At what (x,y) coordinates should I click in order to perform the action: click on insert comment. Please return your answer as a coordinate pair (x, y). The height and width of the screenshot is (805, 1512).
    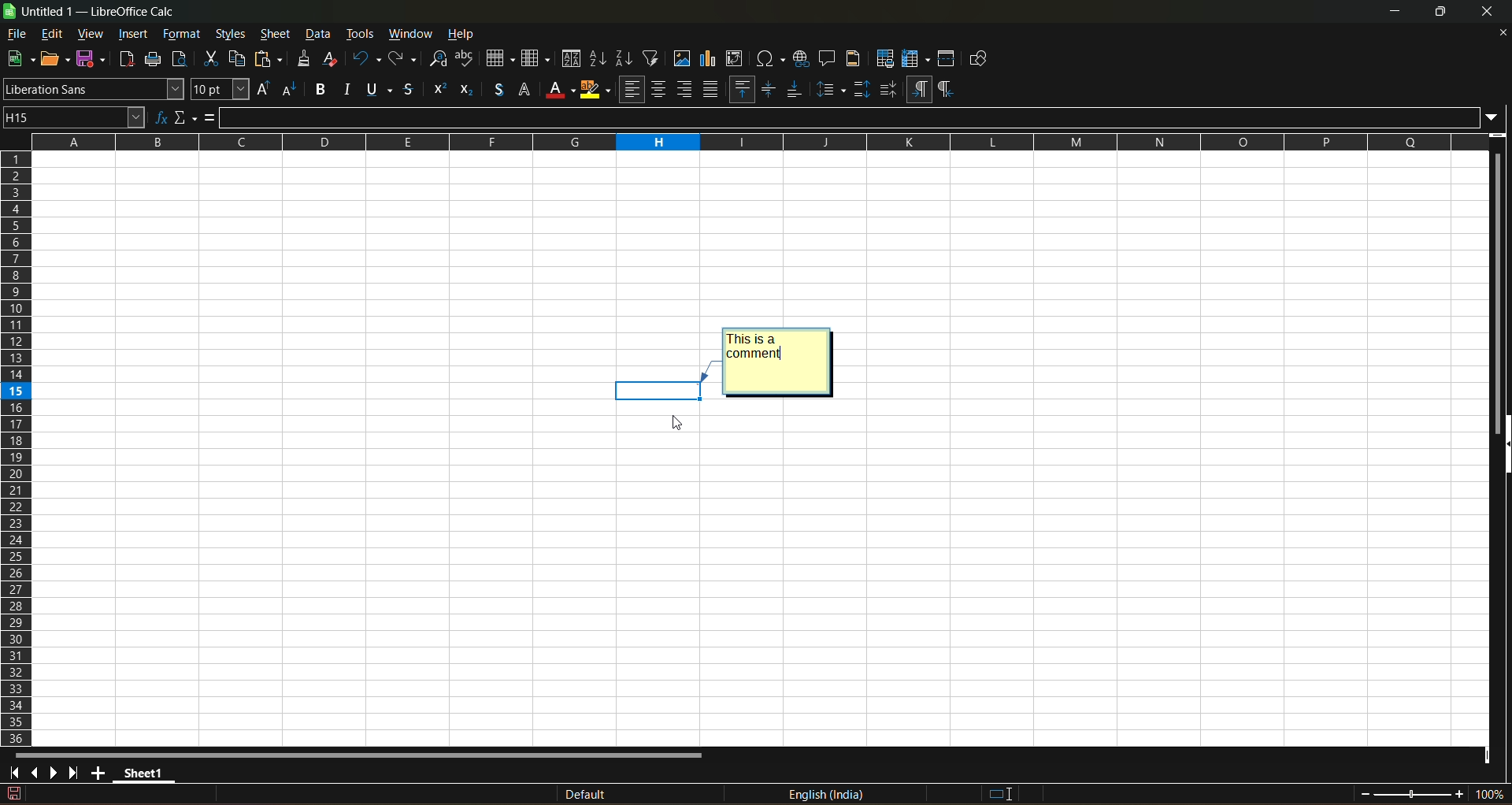
    Looking at the image, I should click on (829, 58).